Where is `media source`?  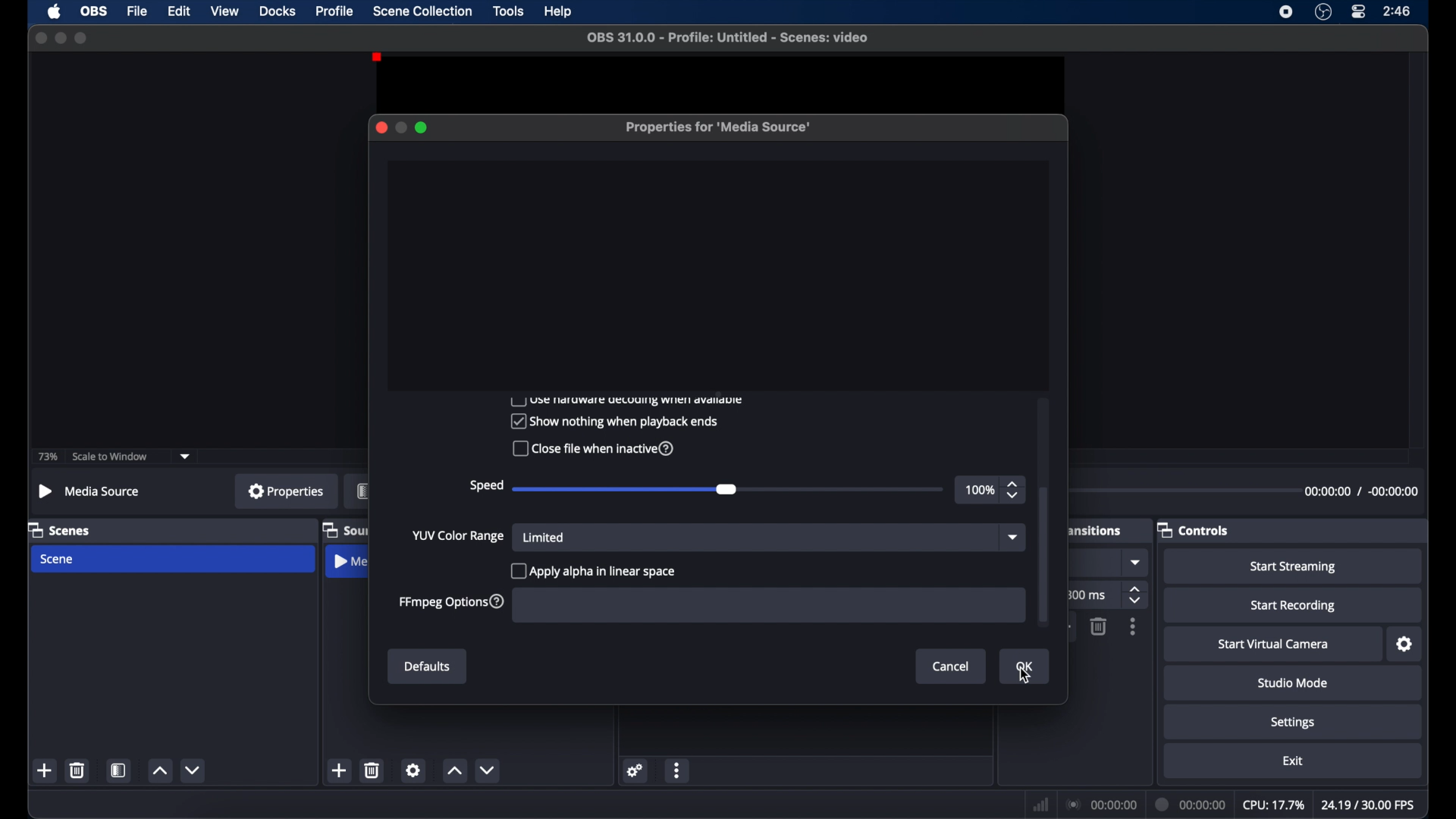
media source is located at coordinates (88, 491).